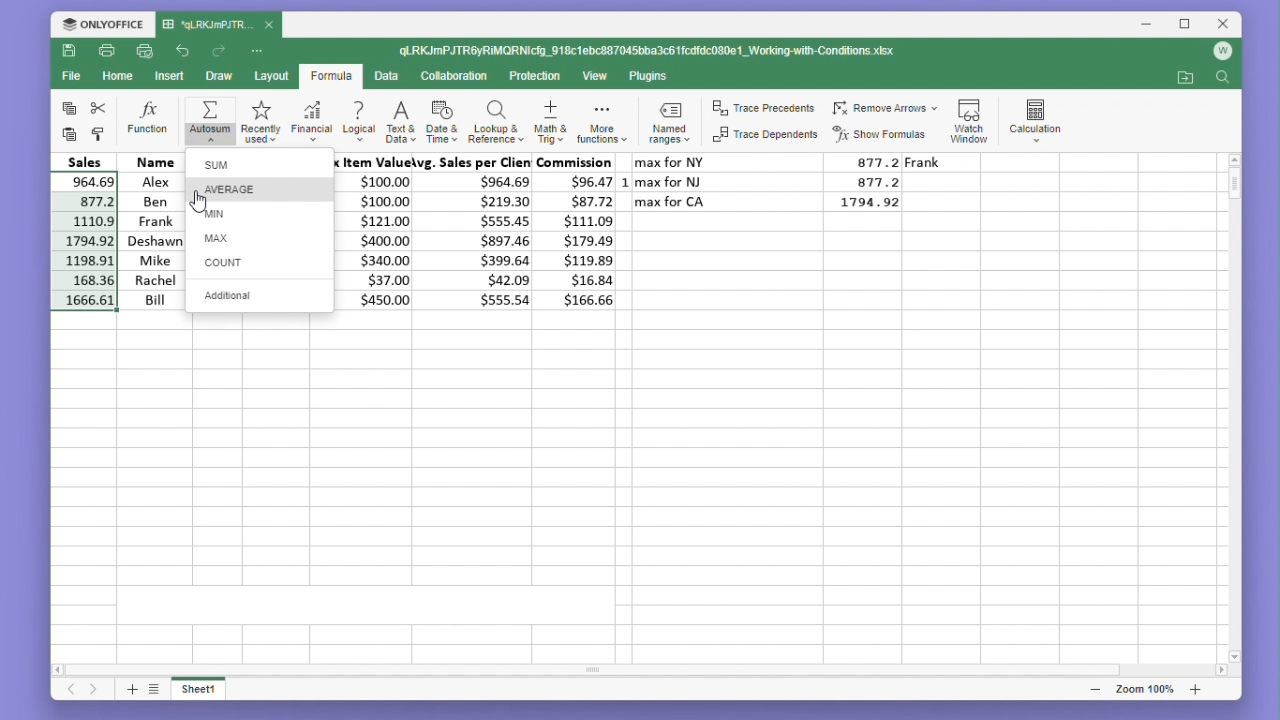  Describe the element at coordinates (1219, 56) in the screenshot. I see `Account icon` at that location.